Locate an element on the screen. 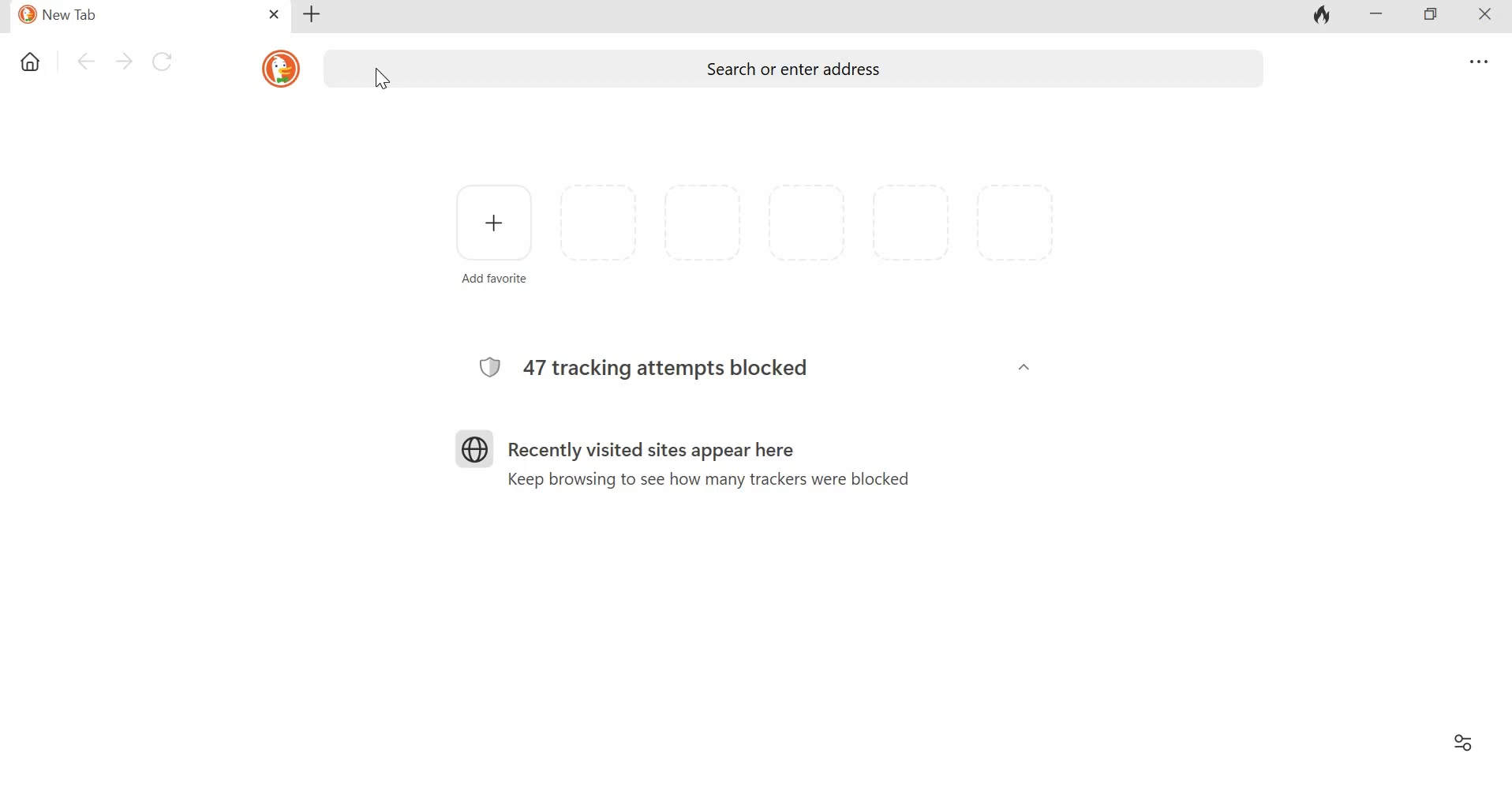 This screenshot has width=1512, height=791. Add shortcut is located at coordinates (494, 232).